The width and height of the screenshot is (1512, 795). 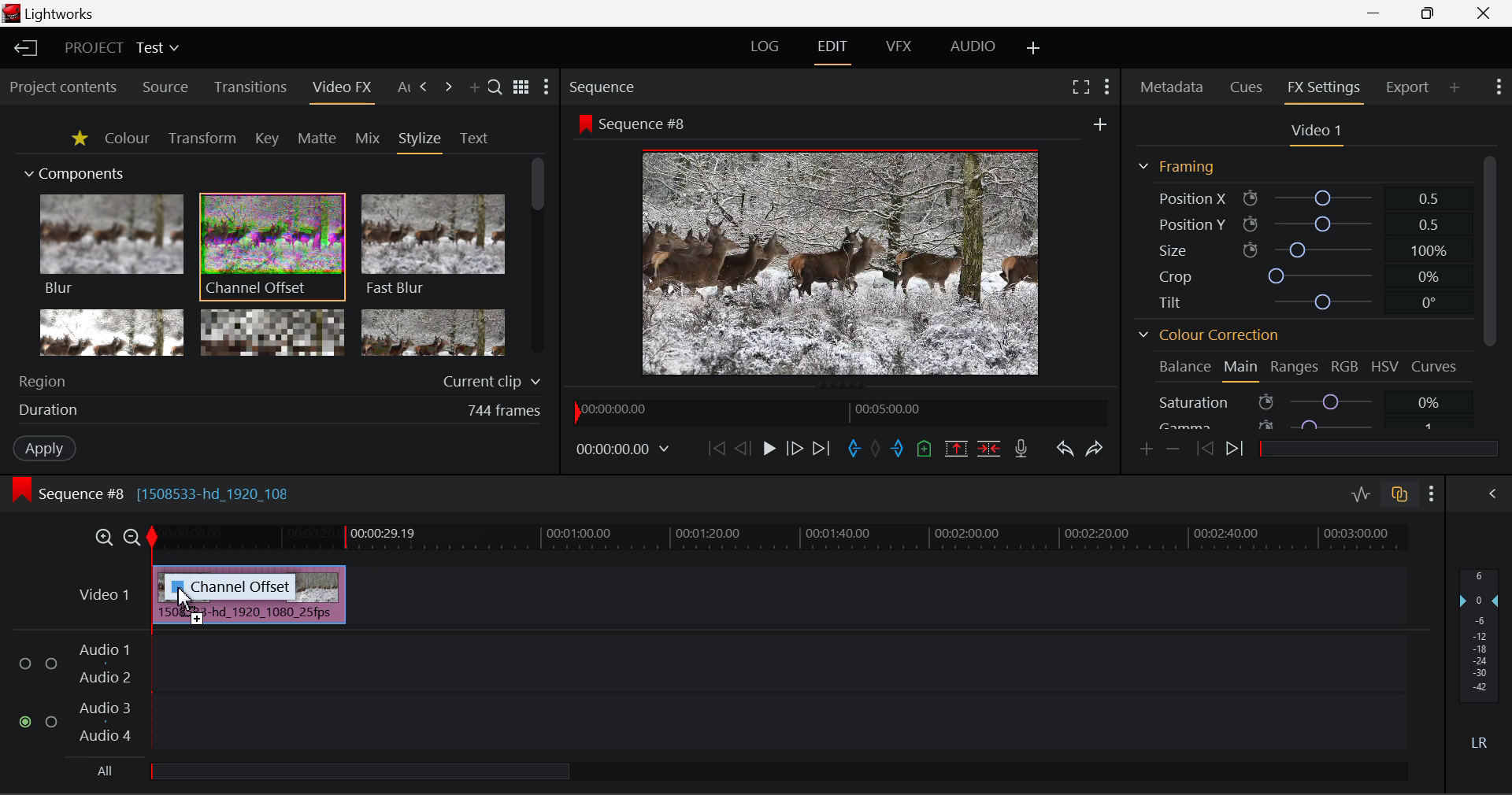 I want to click on To End, so click(x=825, y=449).